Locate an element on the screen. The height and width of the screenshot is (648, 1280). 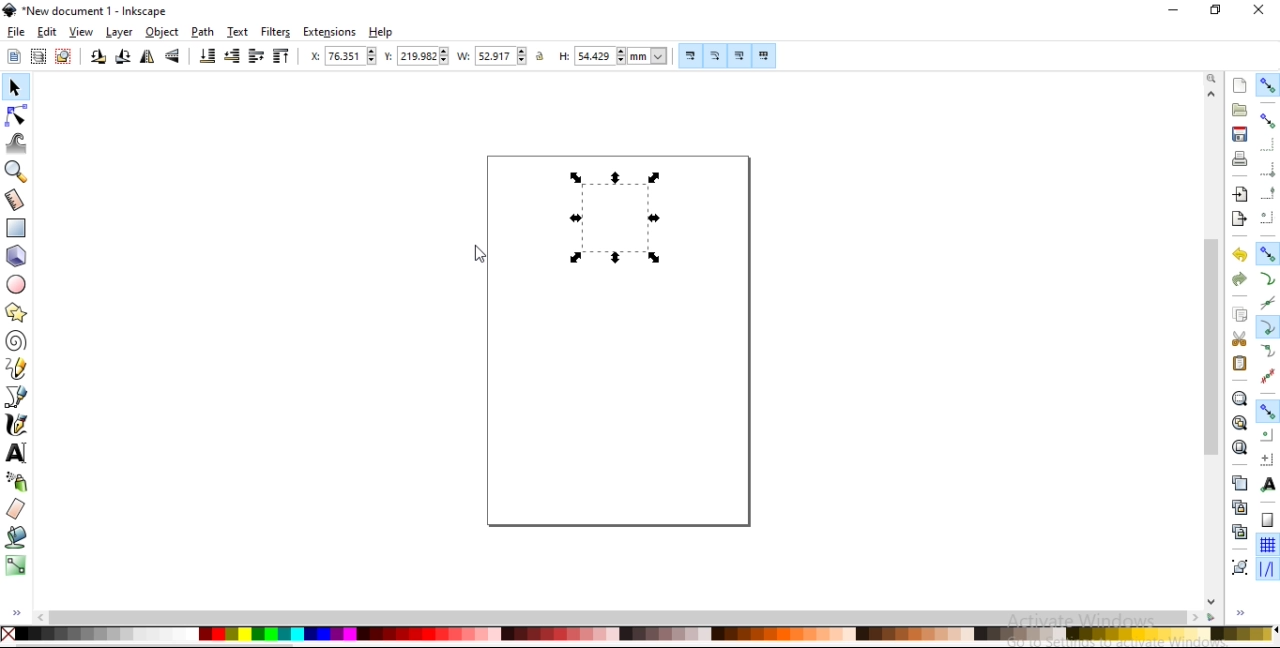
snap smooth nodes is located at coordinates (1267, 351).